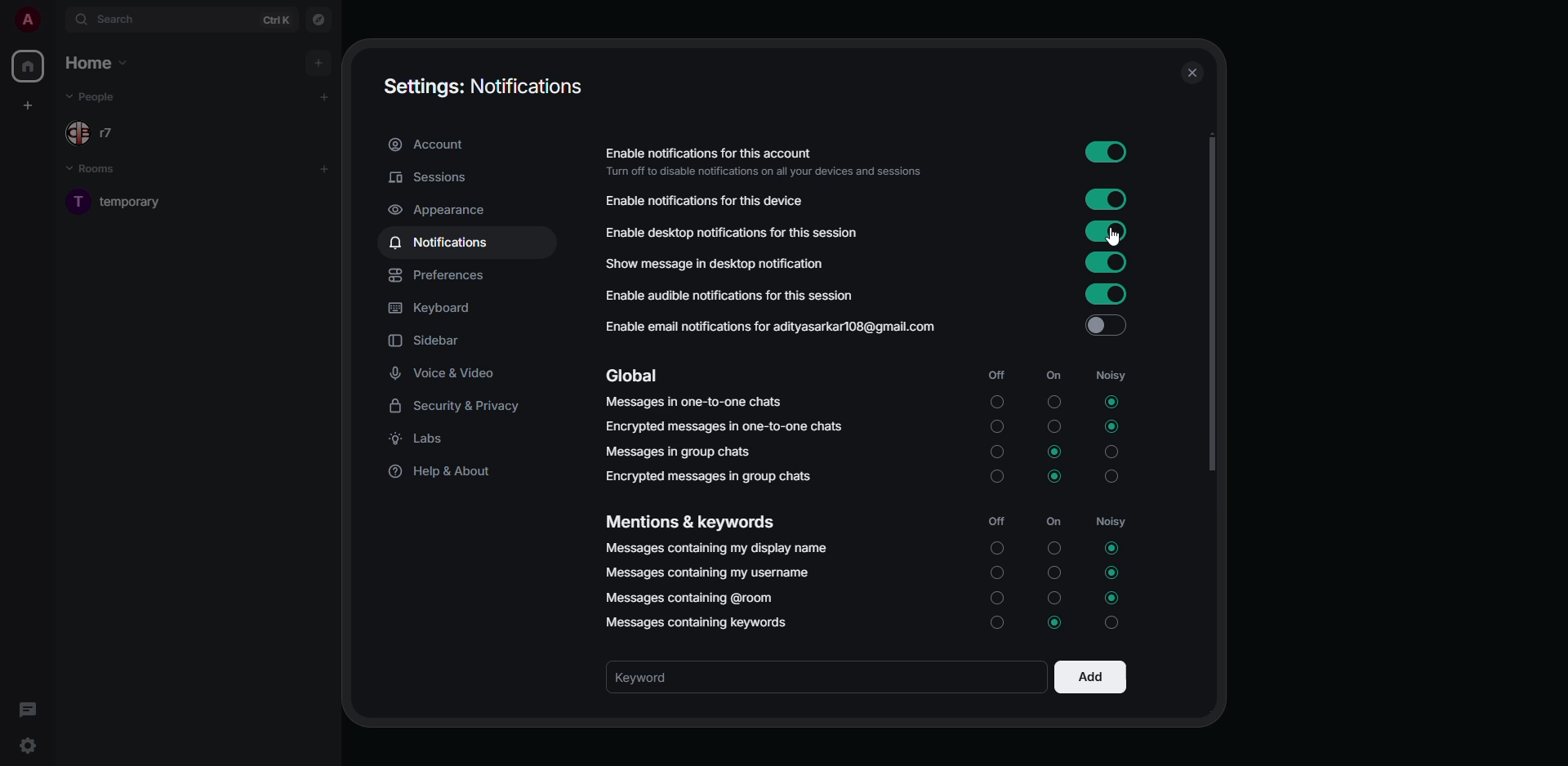  What do you see at coordinates (442, 243) in the screenshot?
I see `notifications` at bounding box center [442, 243].